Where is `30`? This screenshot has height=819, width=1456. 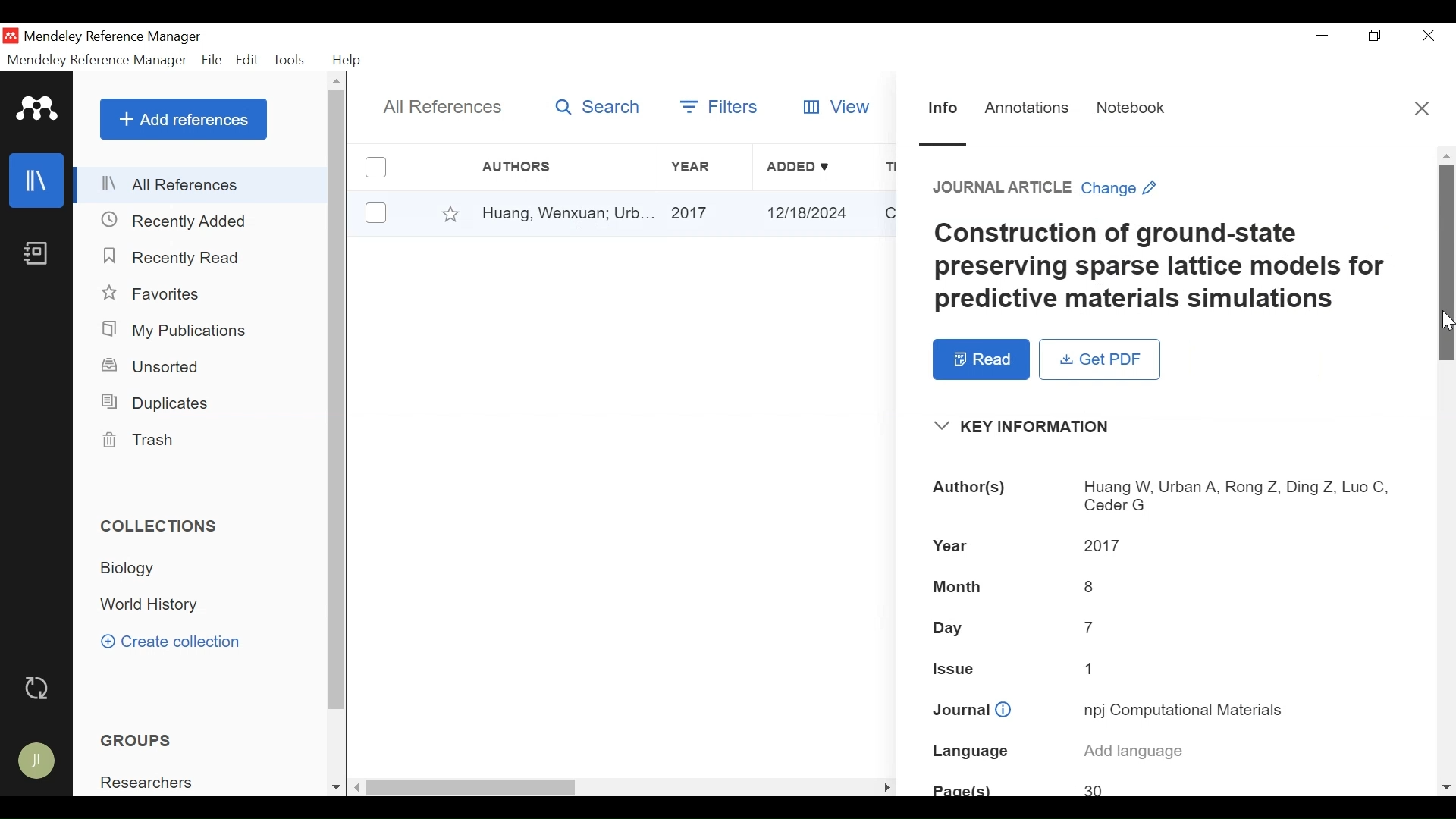
30 is located at coordinates (1097, 789).